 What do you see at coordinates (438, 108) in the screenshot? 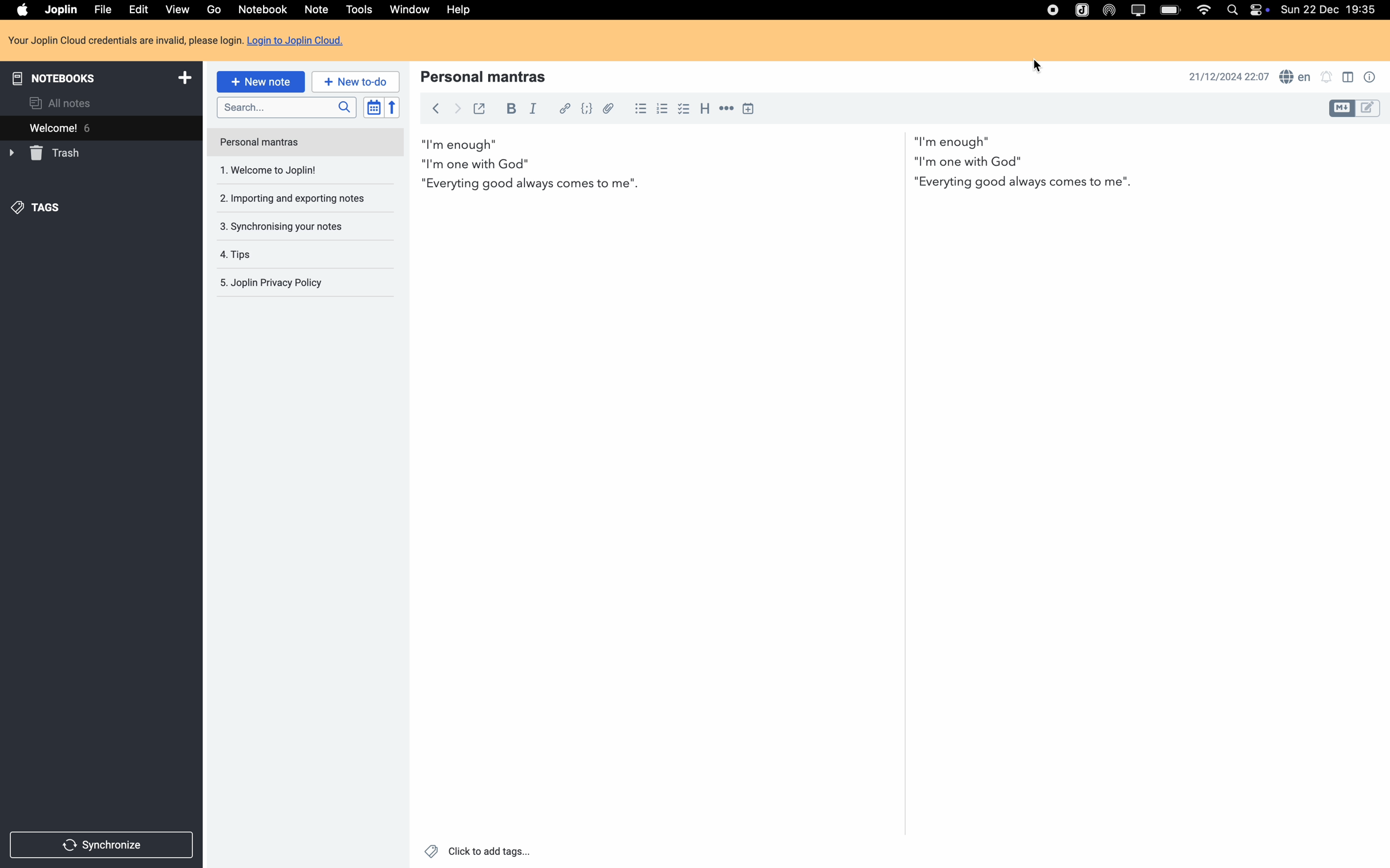
I see `back` at bounding box center [438, 108].